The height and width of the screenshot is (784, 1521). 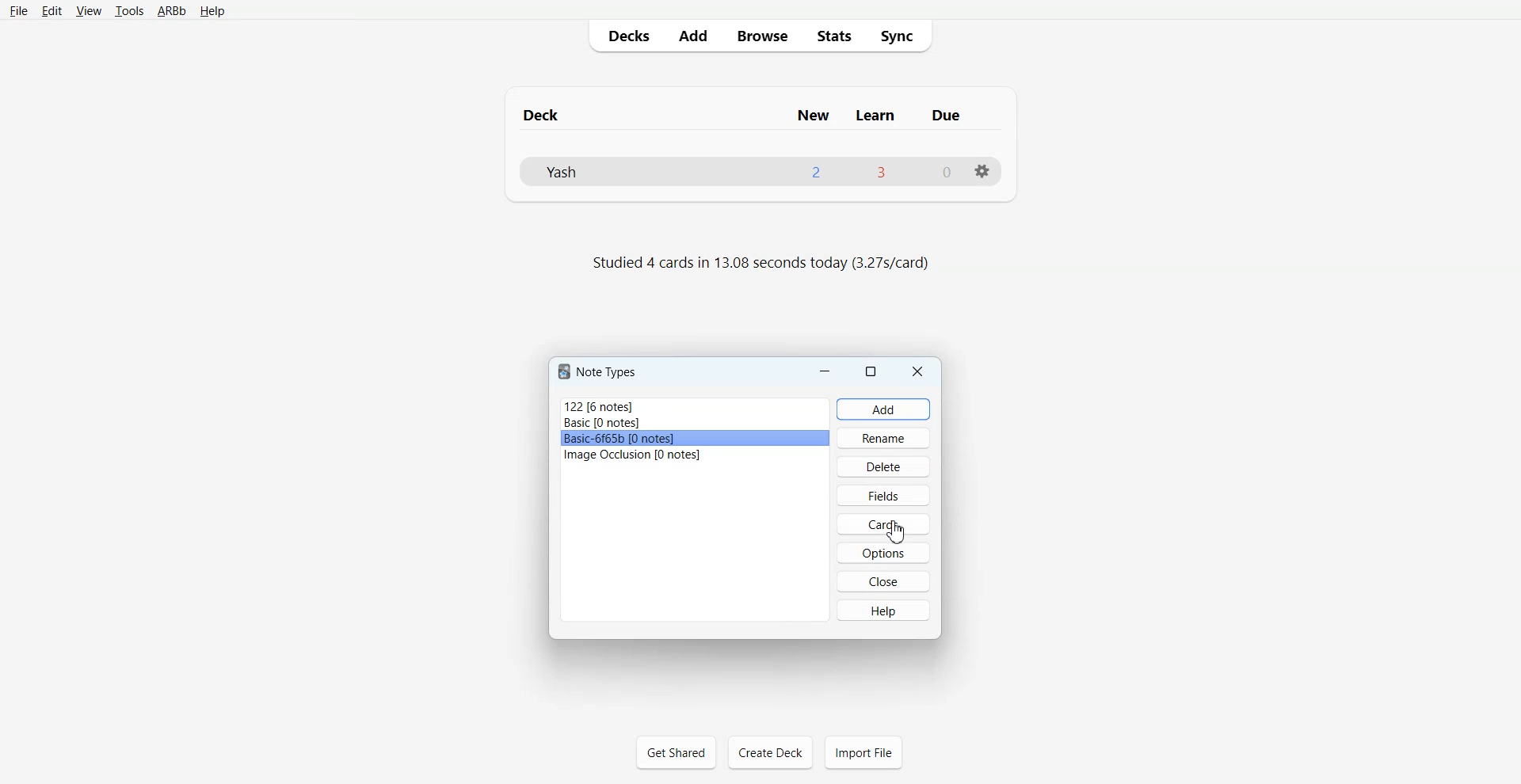 I want to click on Tools, so click(x=129, y=11).